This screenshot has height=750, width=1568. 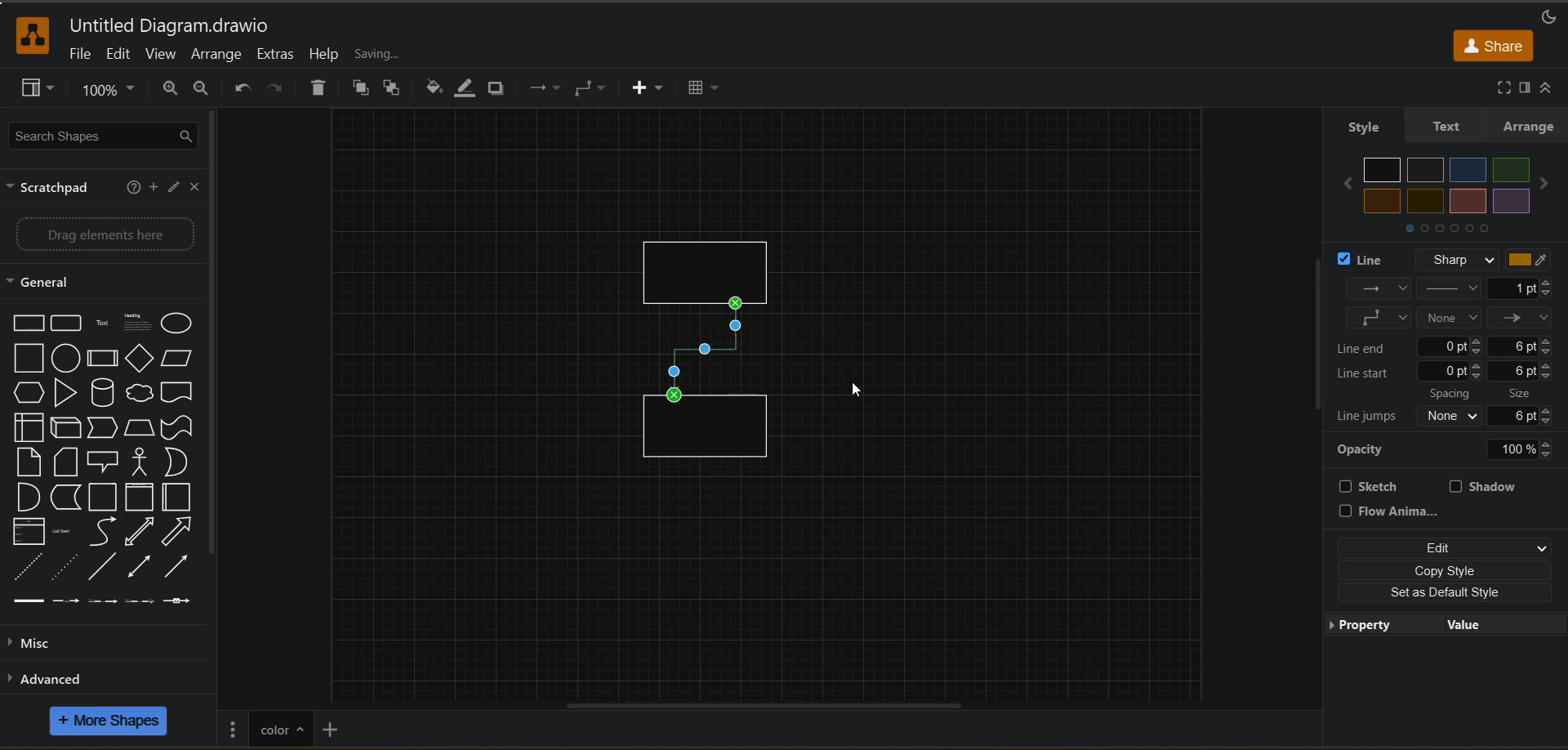 What do you see at coordinates (1367, 417) in the screenshot?
I see `Line jumps` at bounding box center [1367, 417].